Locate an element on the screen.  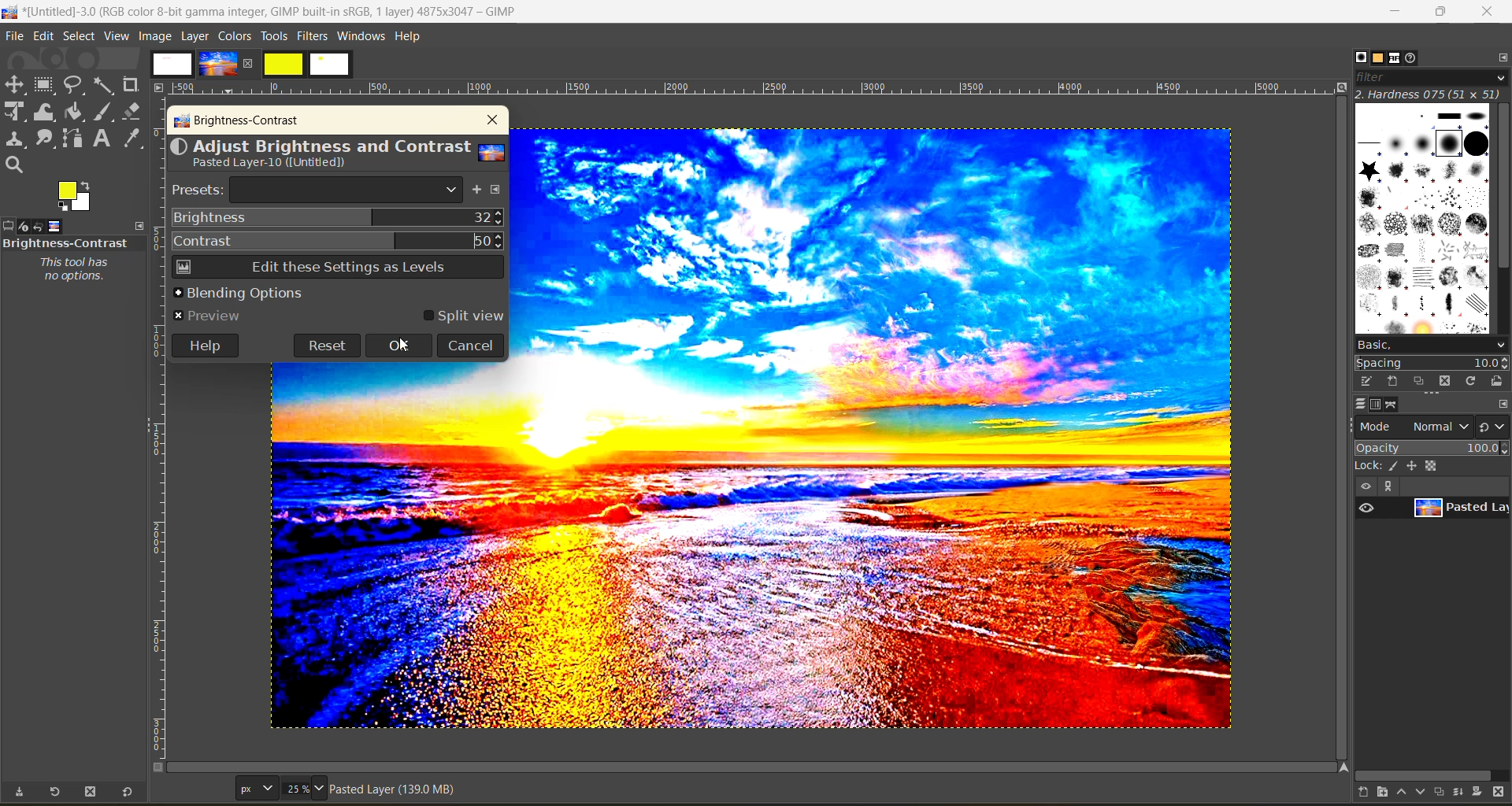
brightness is located at coordinates (338, 218).